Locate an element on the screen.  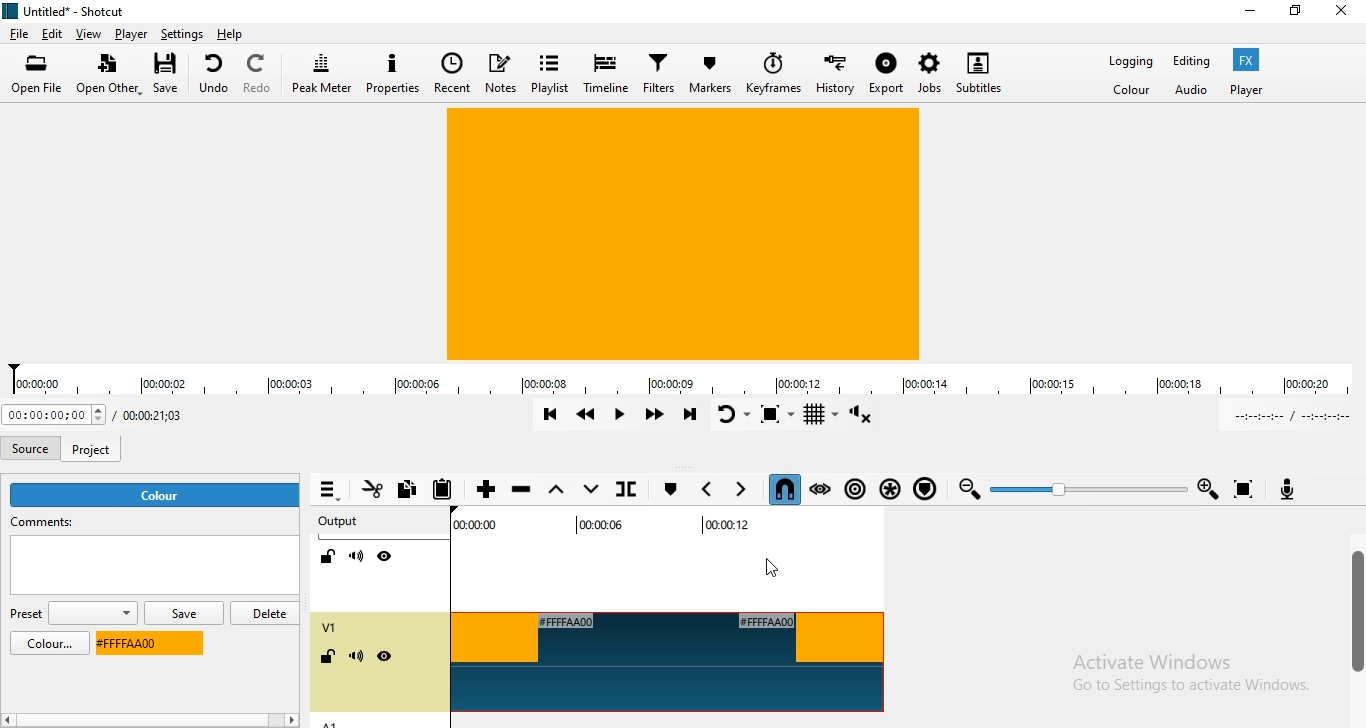
Record audio is located at coordinates (1297, 491).